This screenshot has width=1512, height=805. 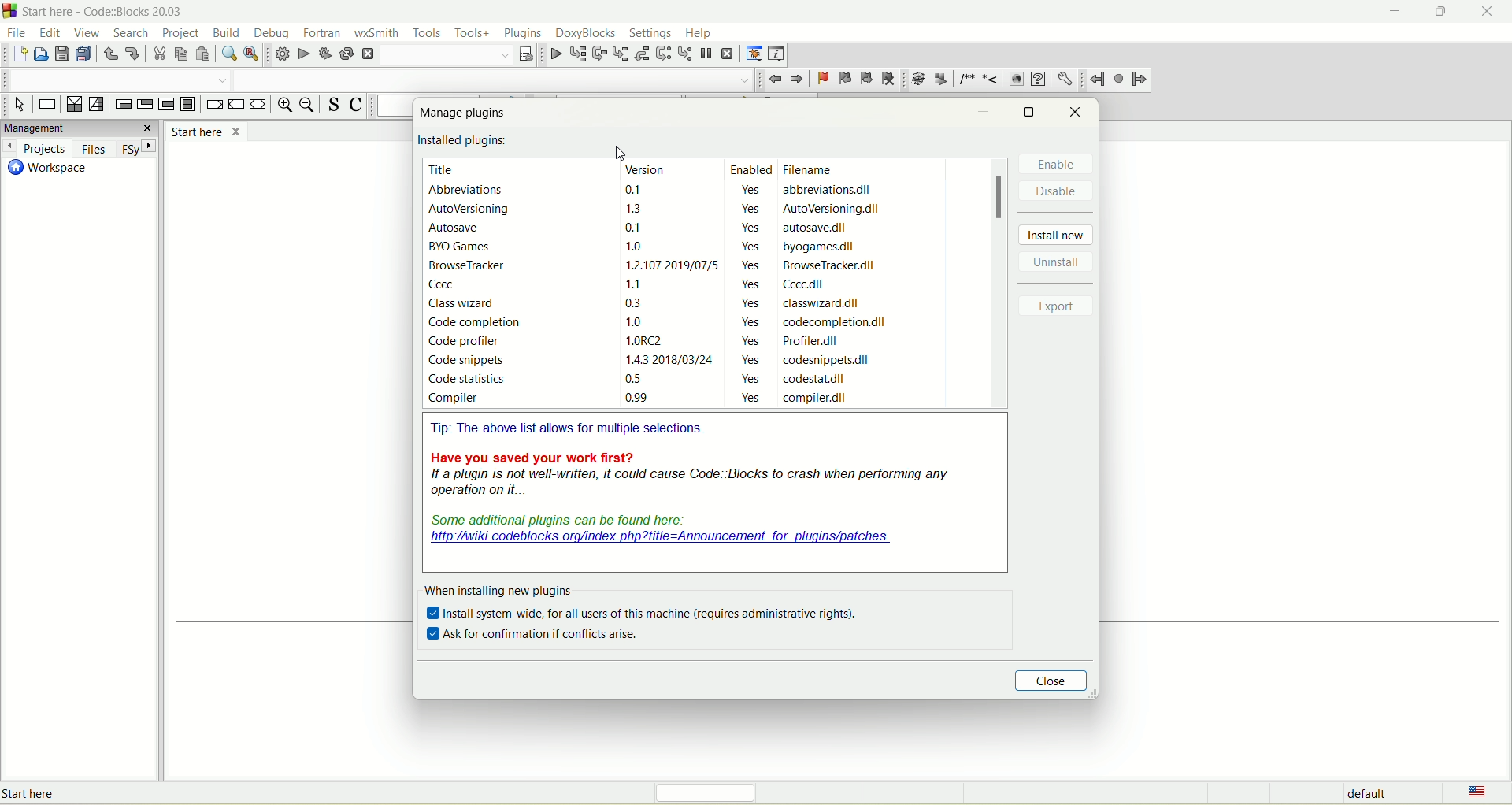 What do you see at coordinates (1142, 80) in the screenshot?
I see `jump forward` at bounding box center [1142, 80].